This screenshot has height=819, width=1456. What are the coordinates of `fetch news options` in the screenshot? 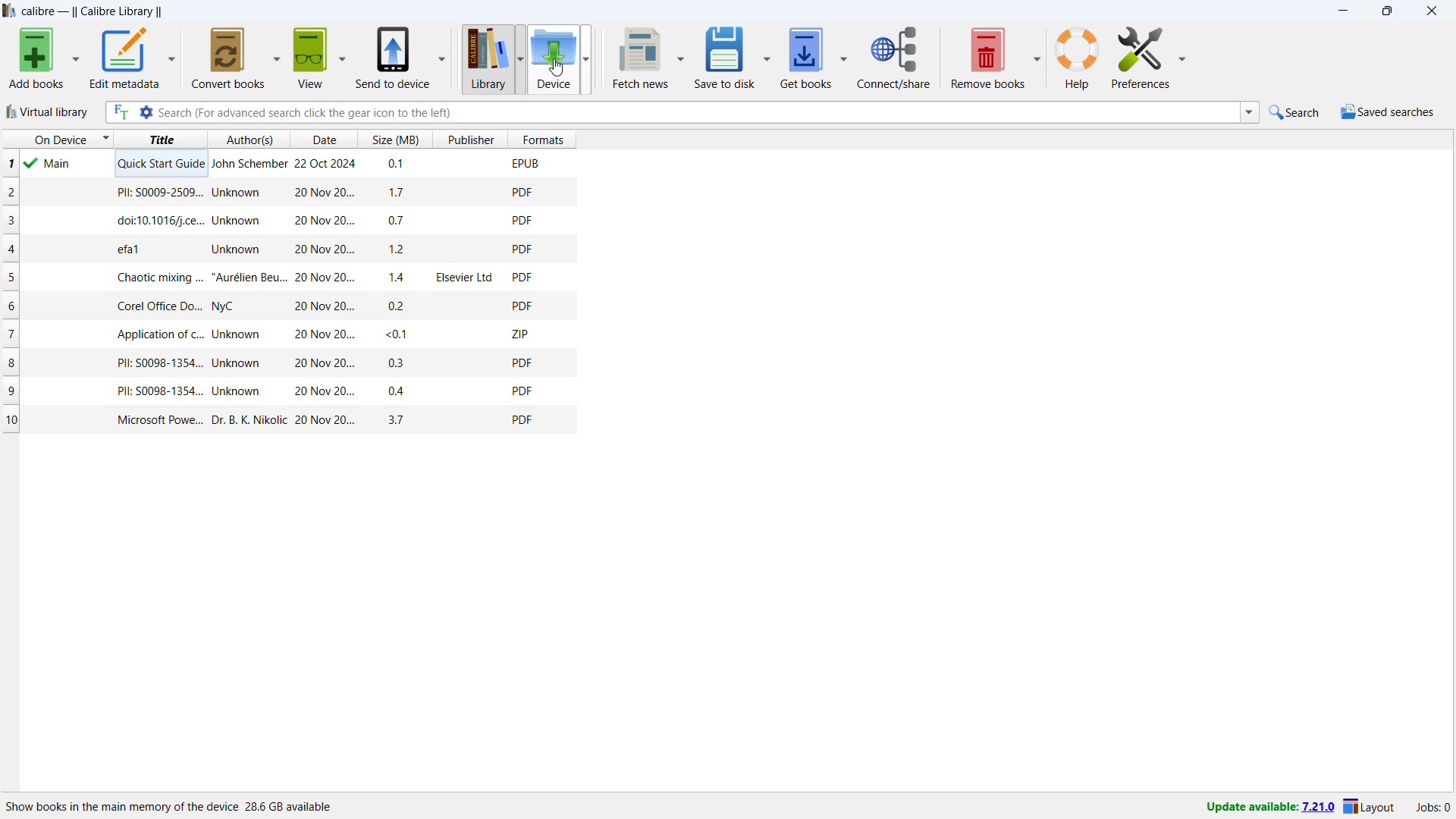 It's located at (681, 60).